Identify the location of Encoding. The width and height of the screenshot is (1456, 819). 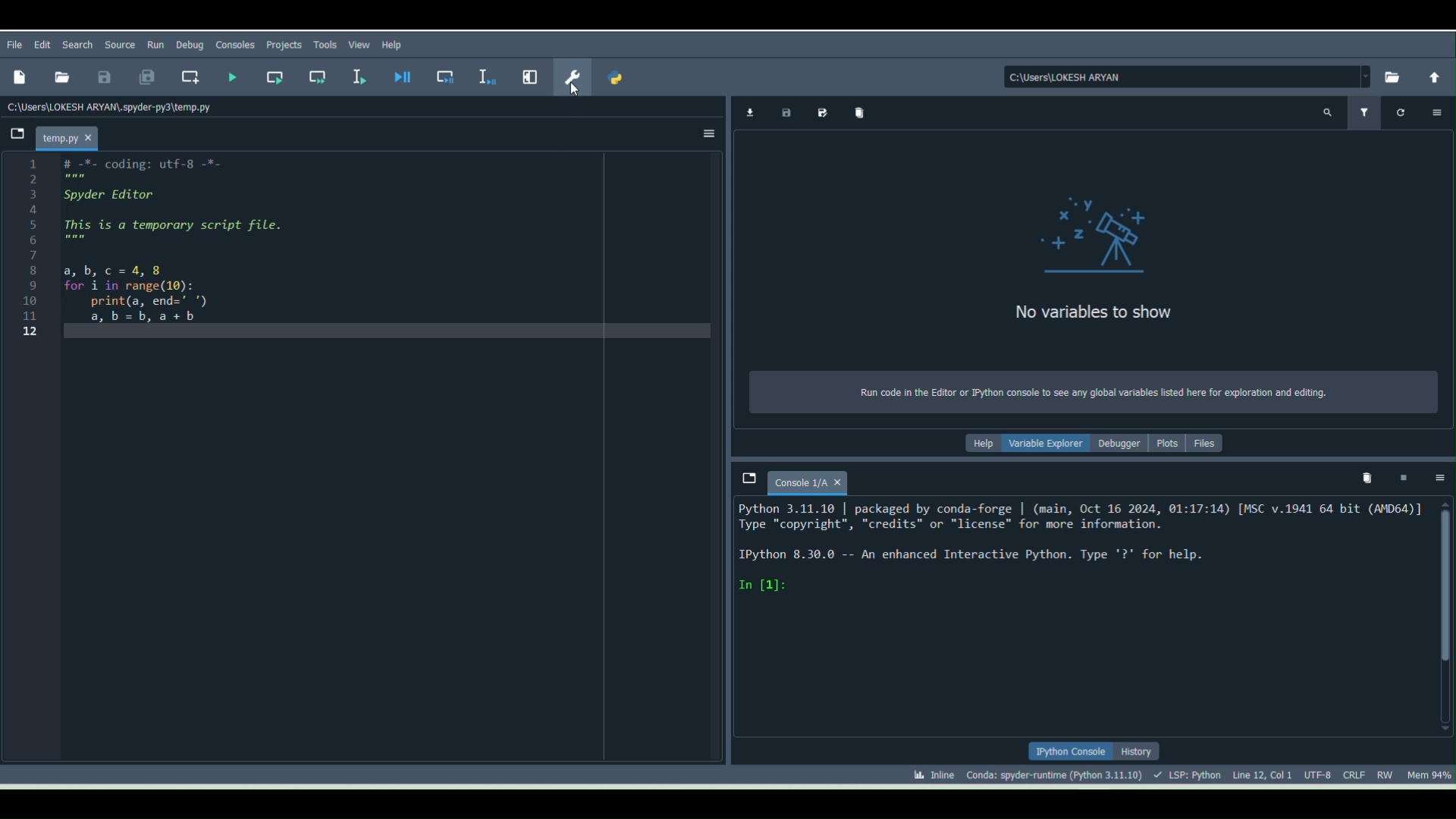
(1321, 773).